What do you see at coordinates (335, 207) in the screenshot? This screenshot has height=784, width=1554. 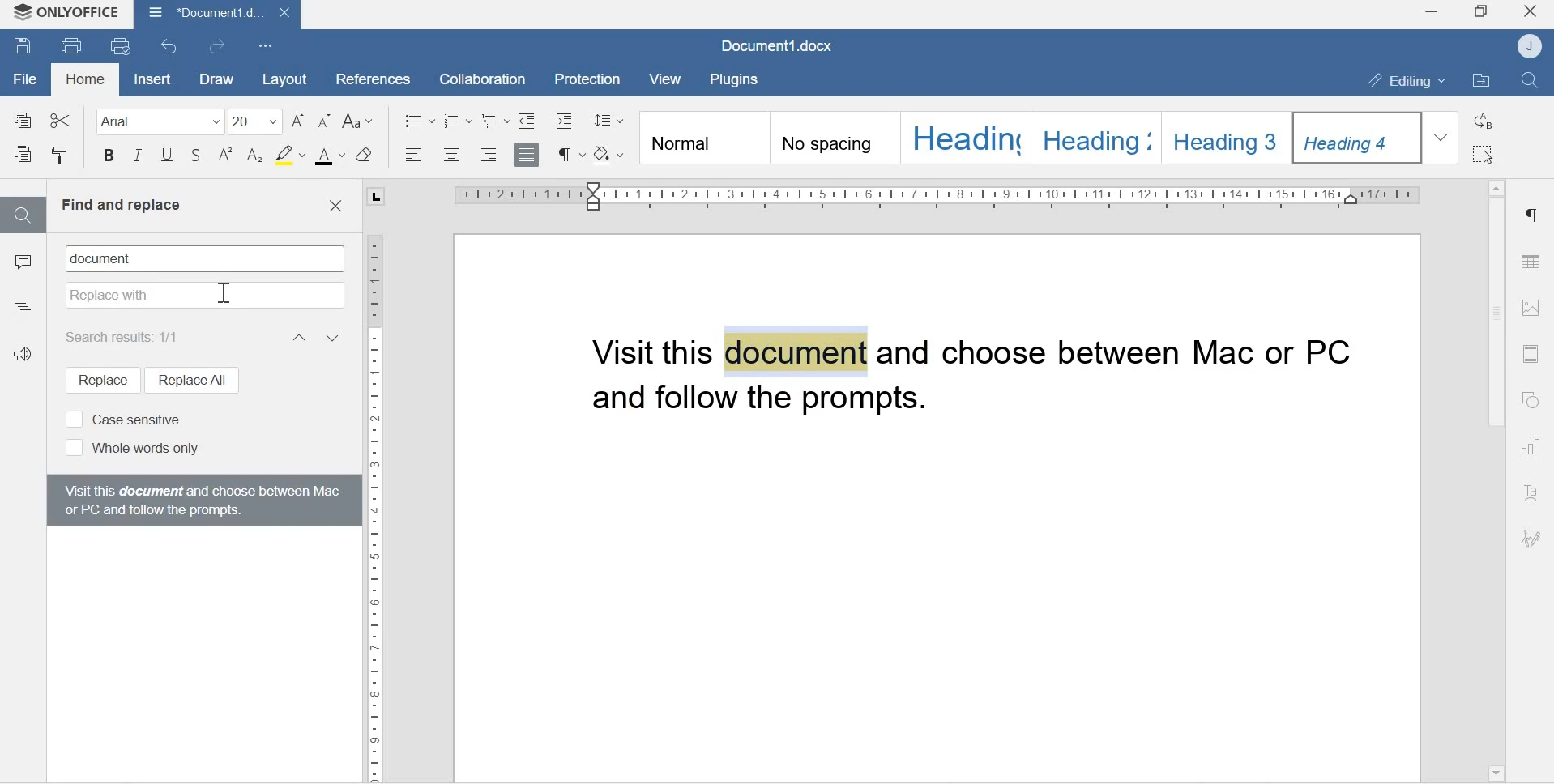 I see `Close find` at bounding box center [335, 207].